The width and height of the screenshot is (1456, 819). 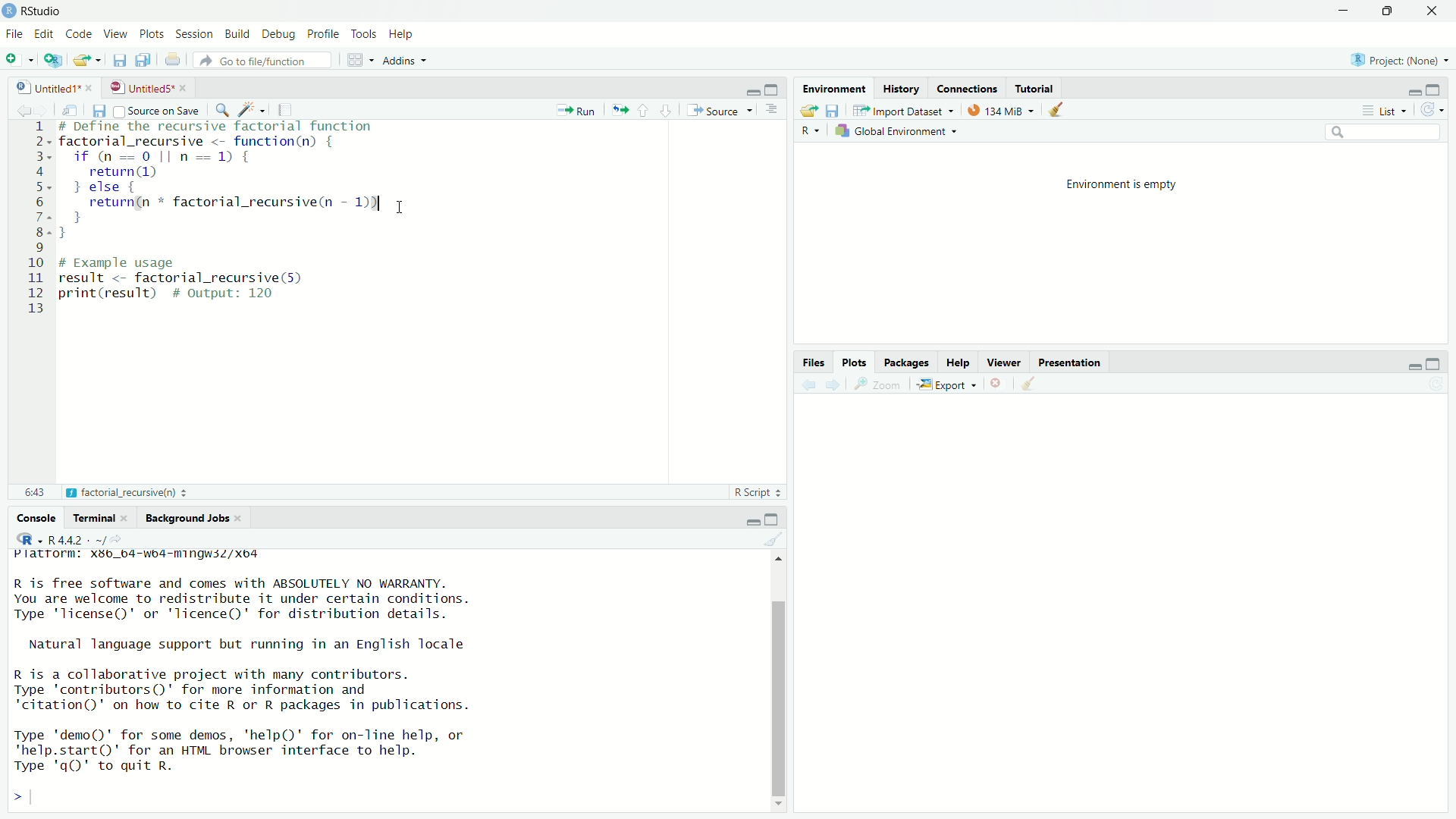 What do you see at coordinates (619, 109) in the screenshot?
I see `Re-run the previous code region (Ctrl + Alt + P)` at bounding box center [619, 109].